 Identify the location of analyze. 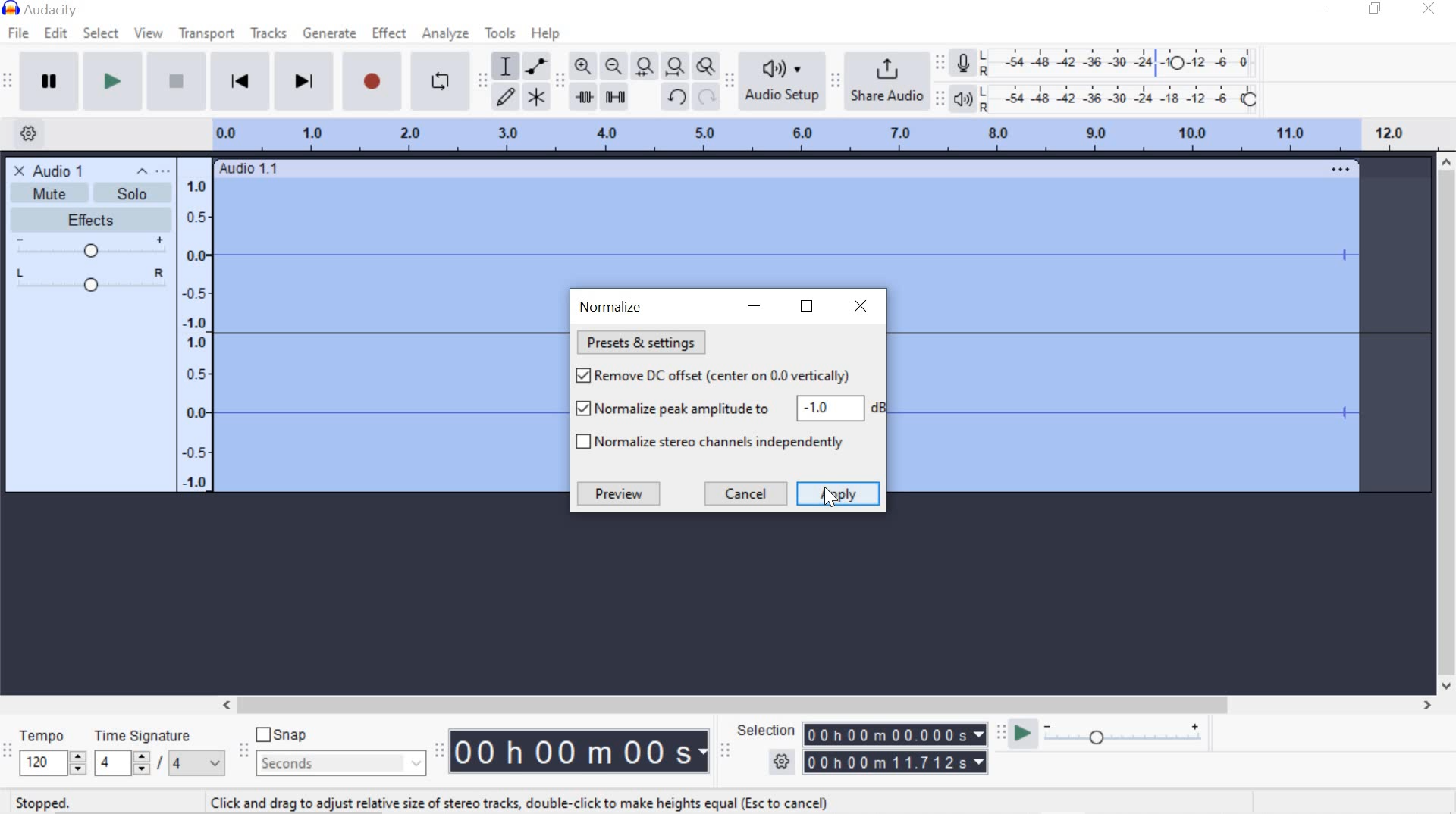
(446, 33).